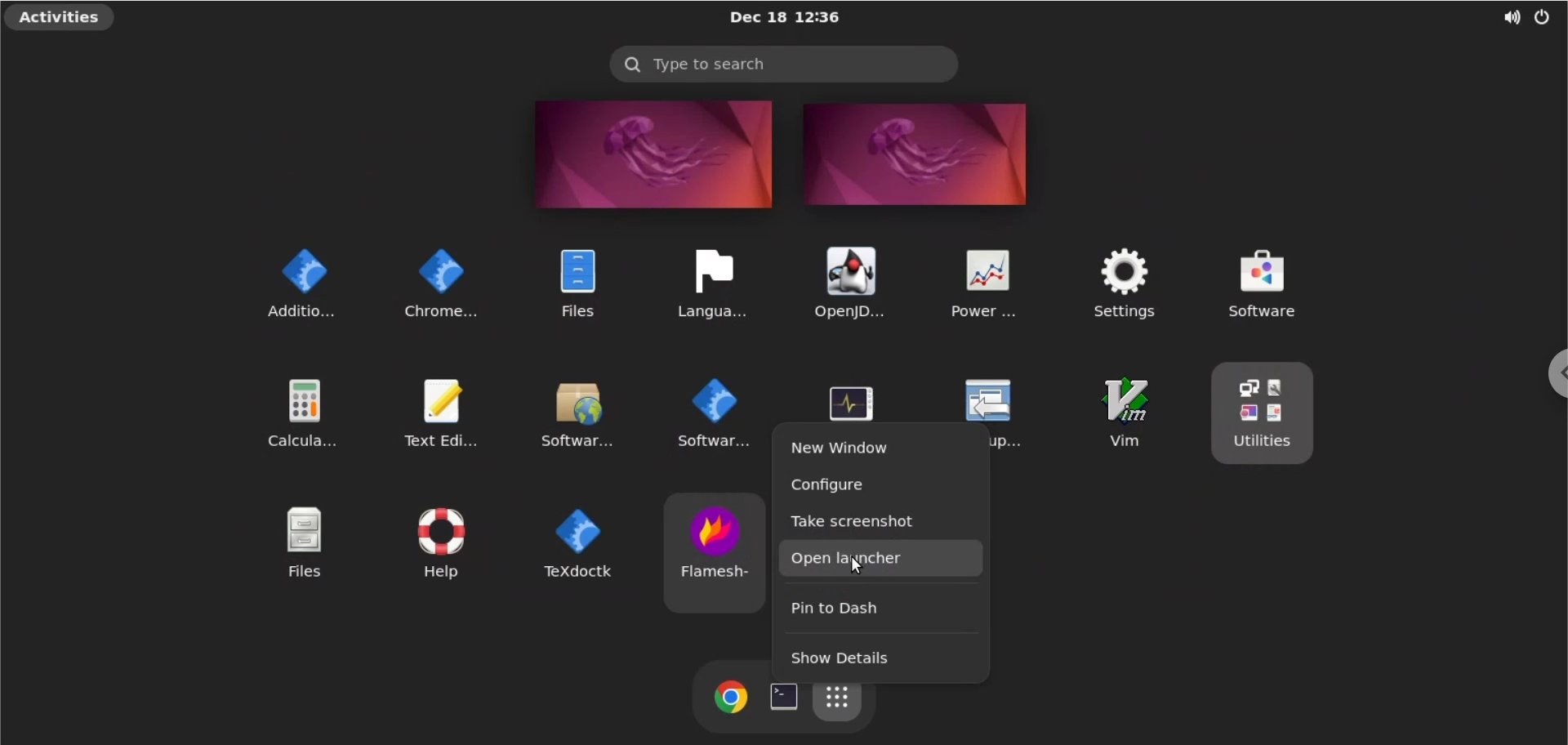 The width and height of the screenshot is (1568, 745). I want to click on pin to dash, so click(875, 609).